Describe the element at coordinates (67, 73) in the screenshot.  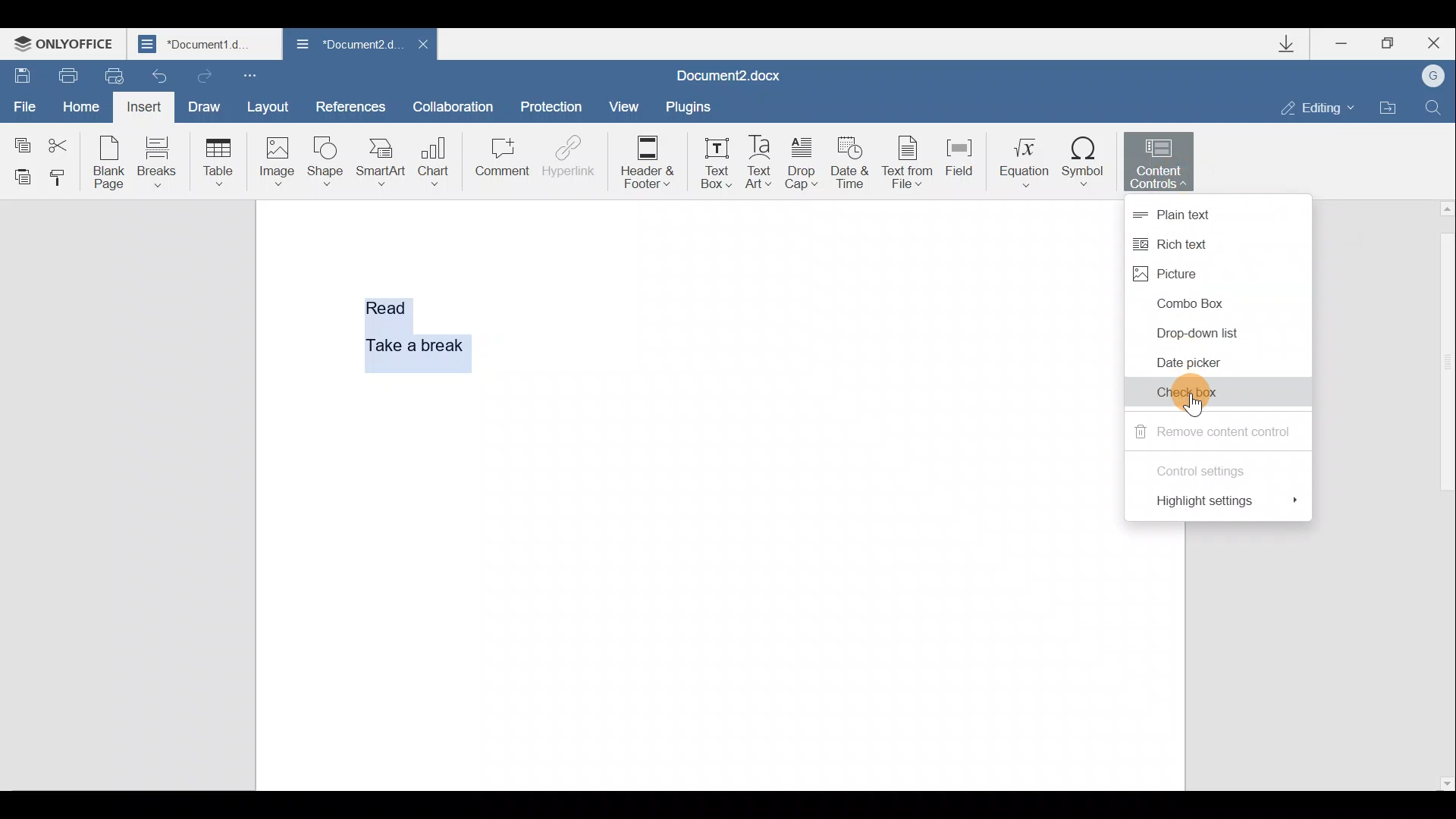
I see `Print file` at that location.